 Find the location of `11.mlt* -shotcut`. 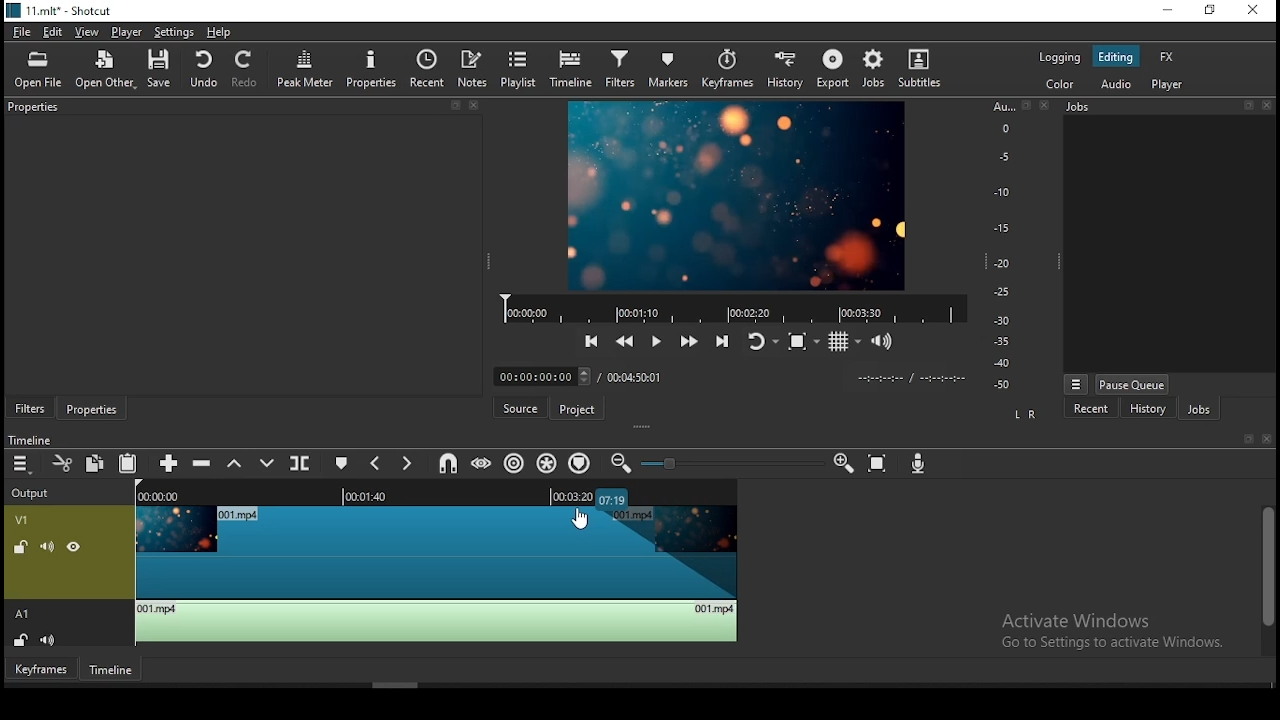

11.mlt* -shotcut is located at coordinates (63, 12).